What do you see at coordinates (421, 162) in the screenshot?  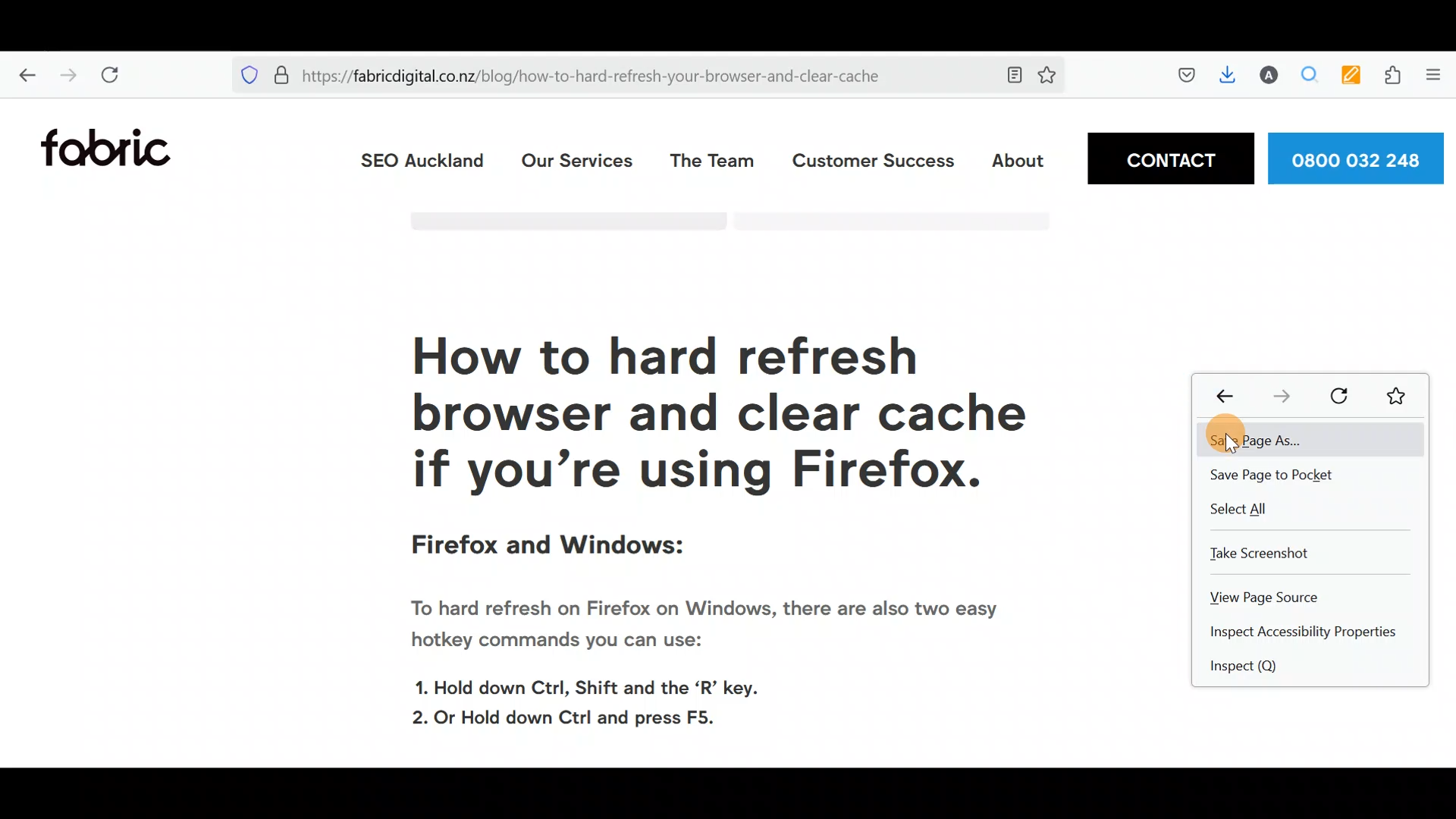 I see `SEO Auckland` at bounding box center [421, 162].